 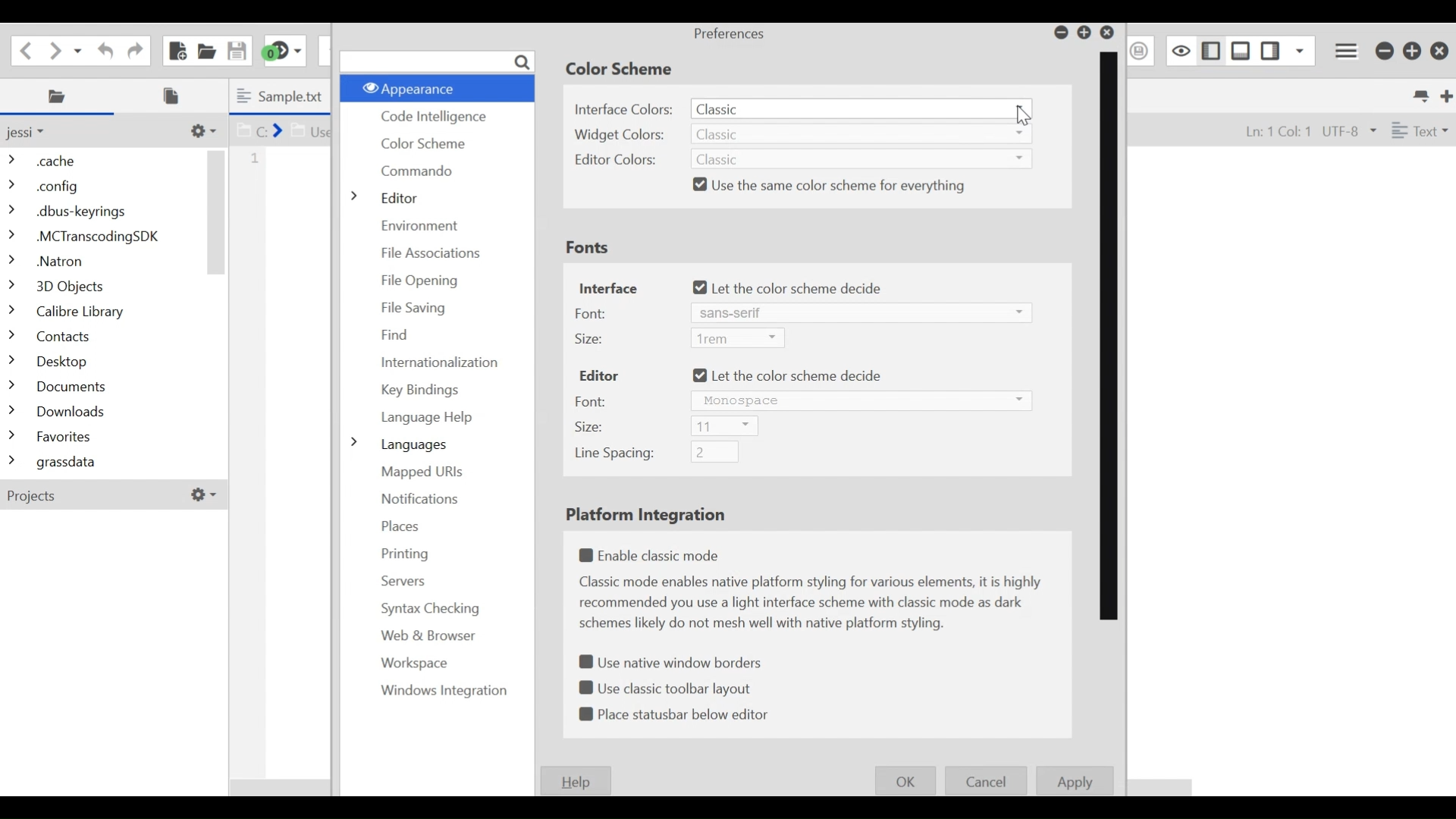 I want to click on (un)select Use Classic toolbar layout, so click(x=668, y=686).